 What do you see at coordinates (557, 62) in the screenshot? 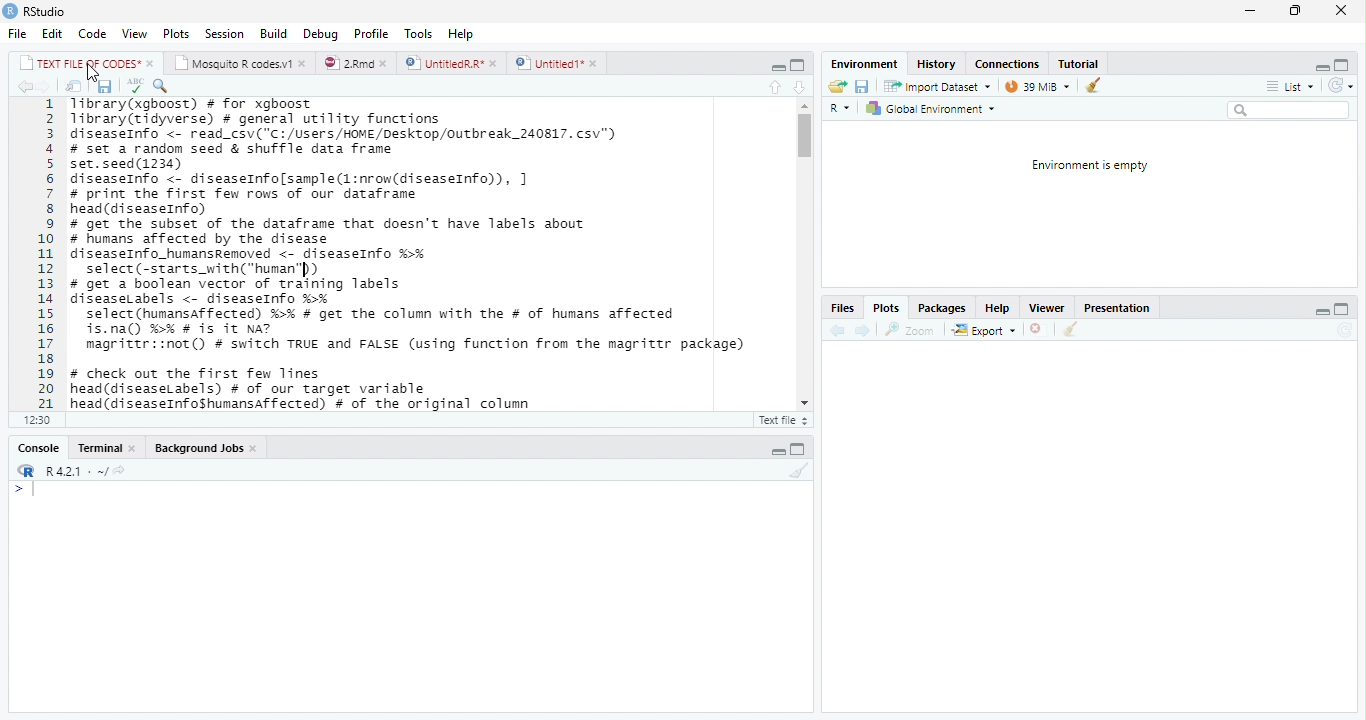
I see ` Untitled1* ` at bounding box center [557, 62].